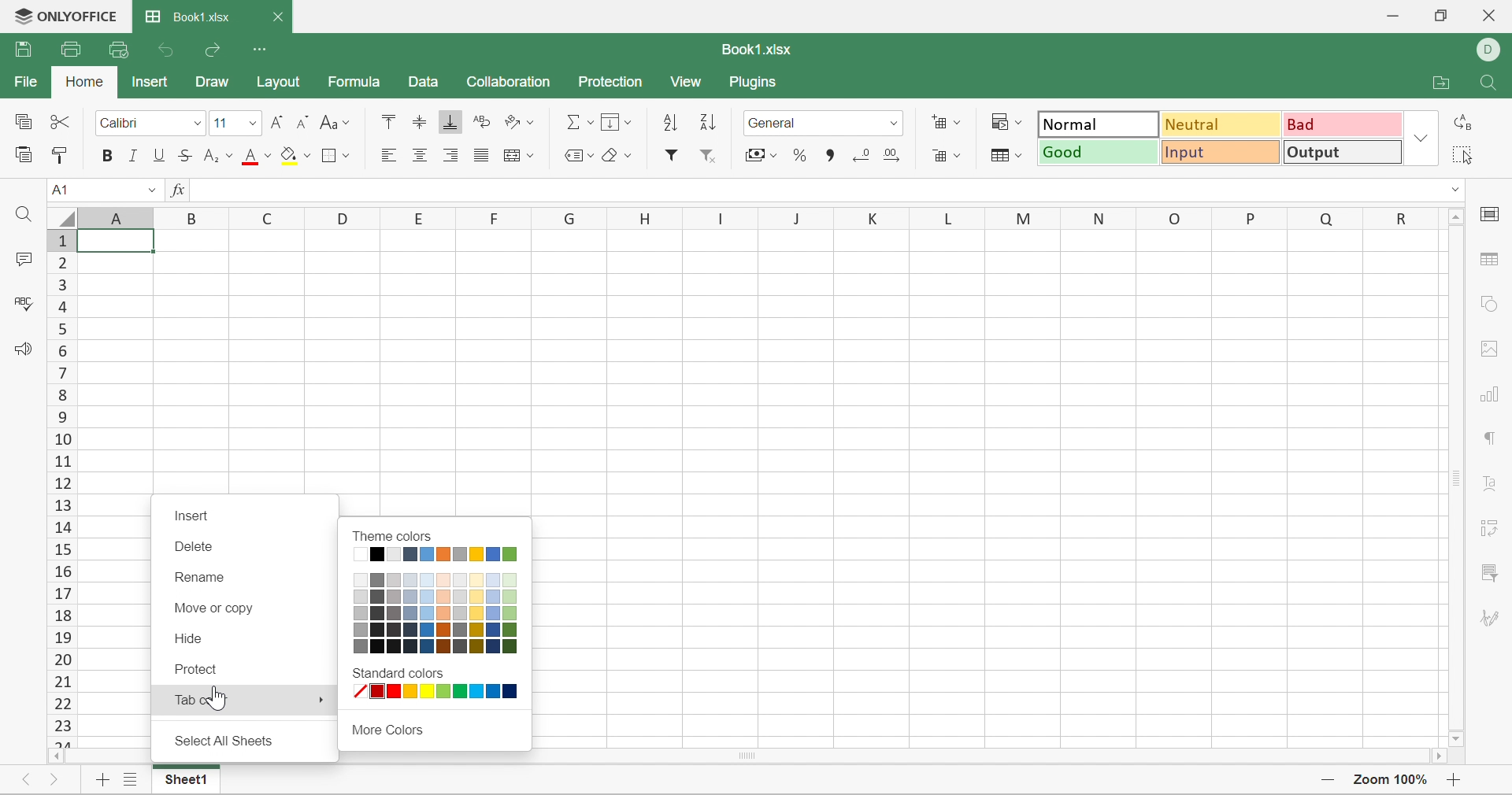 This screenshot has width=1512, height=795. I want to click on E, so click(420, 215).